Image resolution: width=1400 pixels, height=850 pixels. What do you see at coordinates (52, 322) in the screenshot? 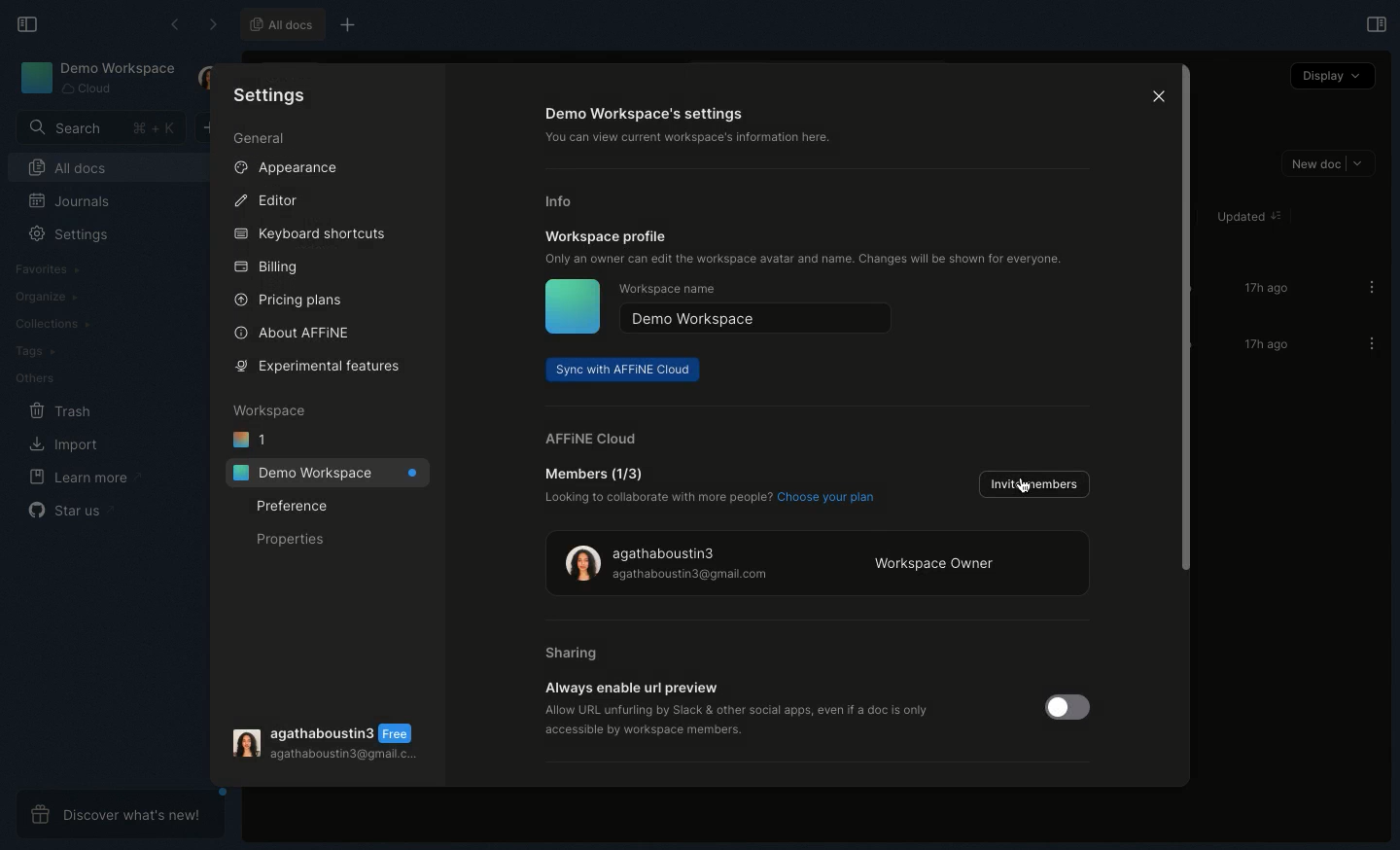
I see `Collections` at bounding box center [52, 322].